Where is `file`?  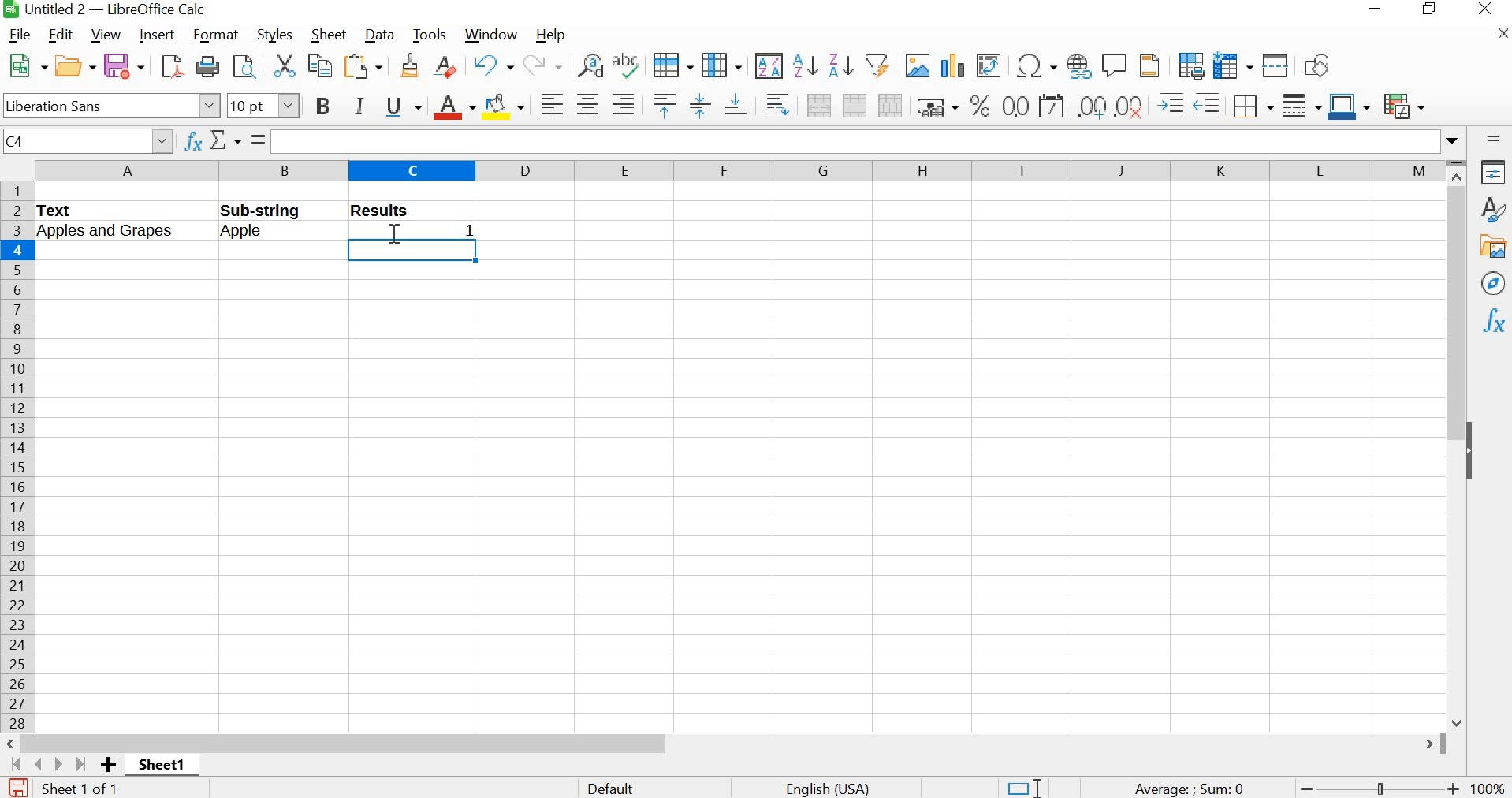 file is located at coordinates (17, 34).